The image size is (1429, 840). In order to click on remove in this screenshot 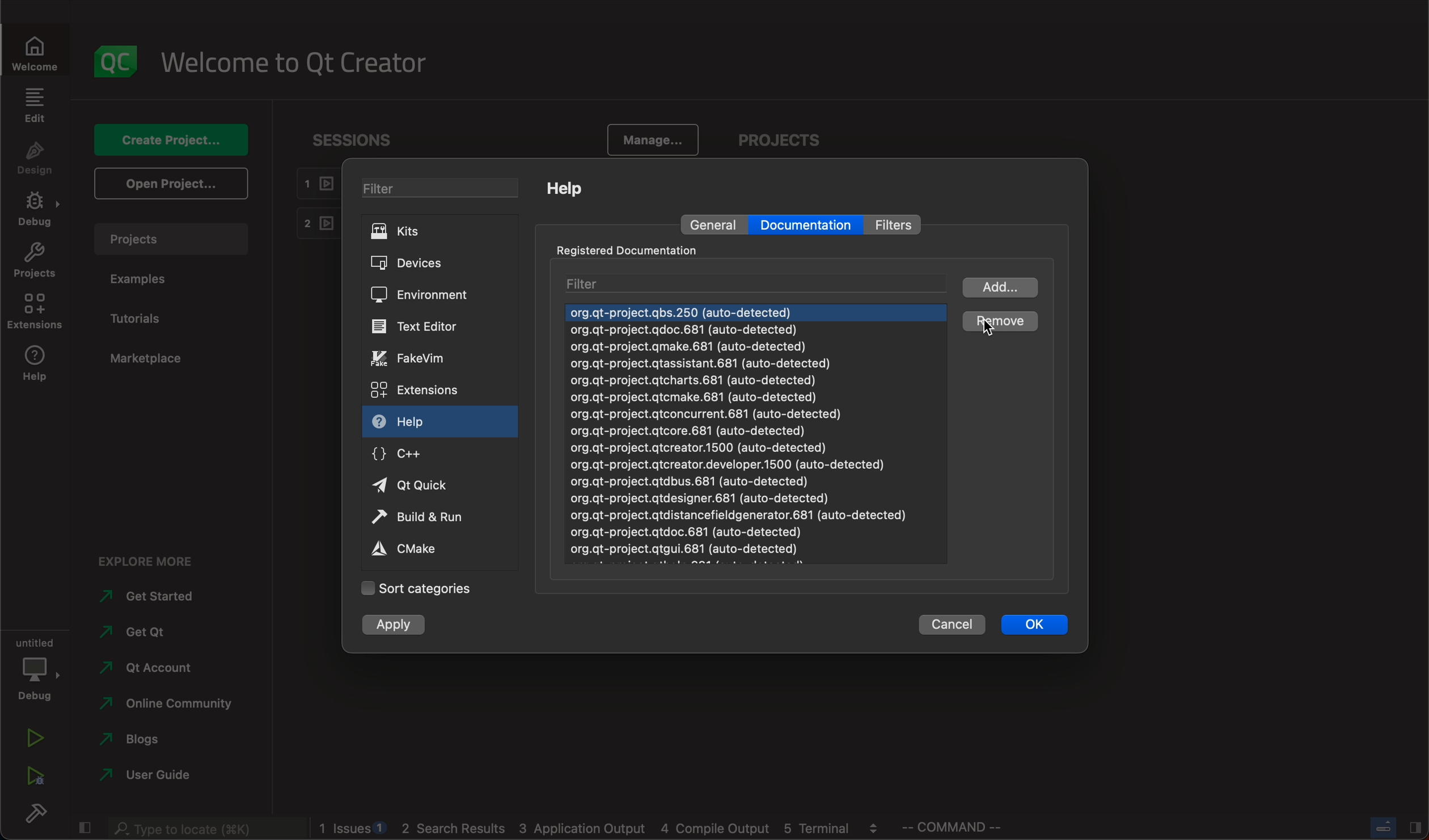, I will do `click(995, 323)`.